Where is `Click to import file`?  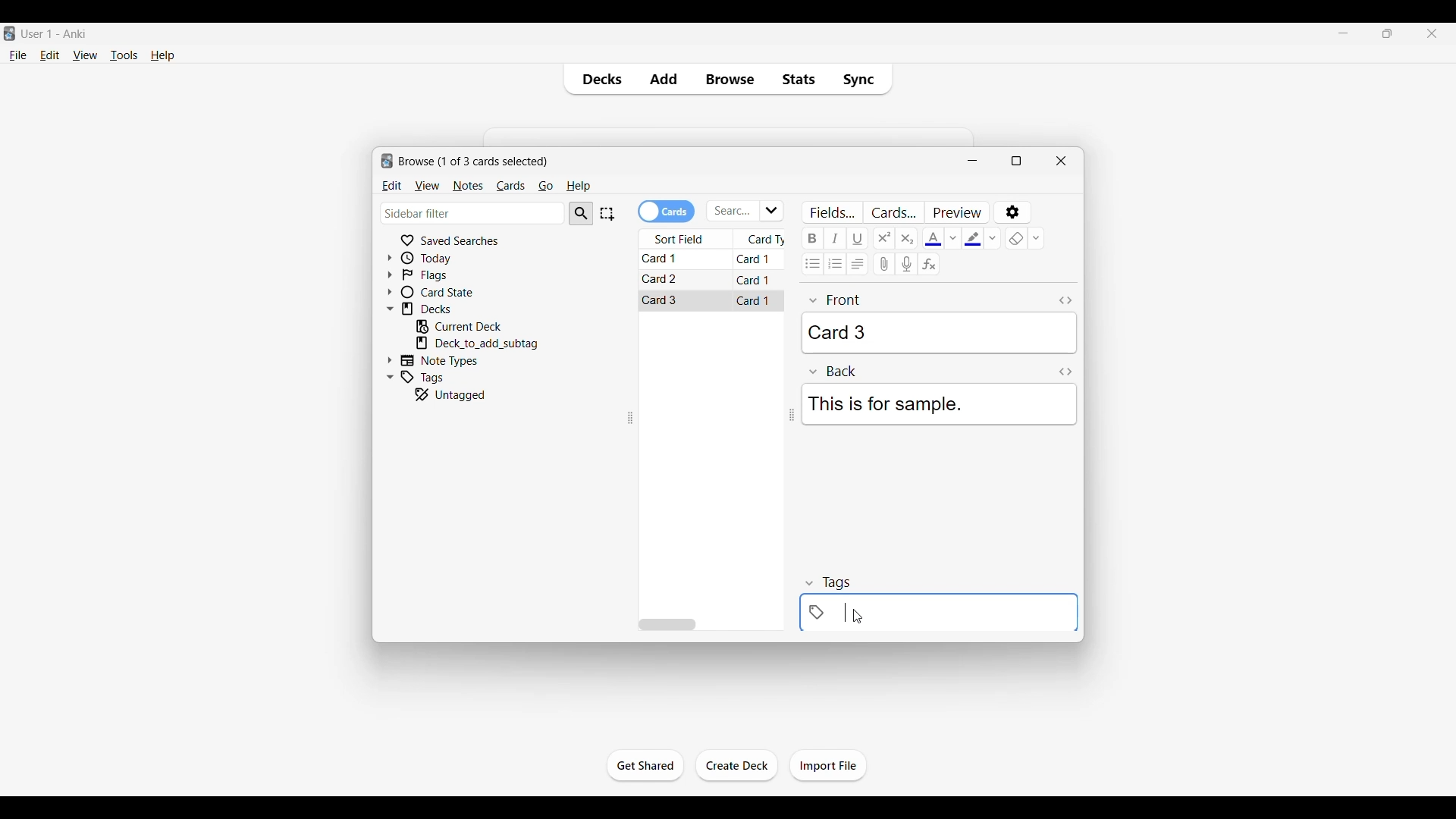
Click to import file is located at coordinates (829, 766).